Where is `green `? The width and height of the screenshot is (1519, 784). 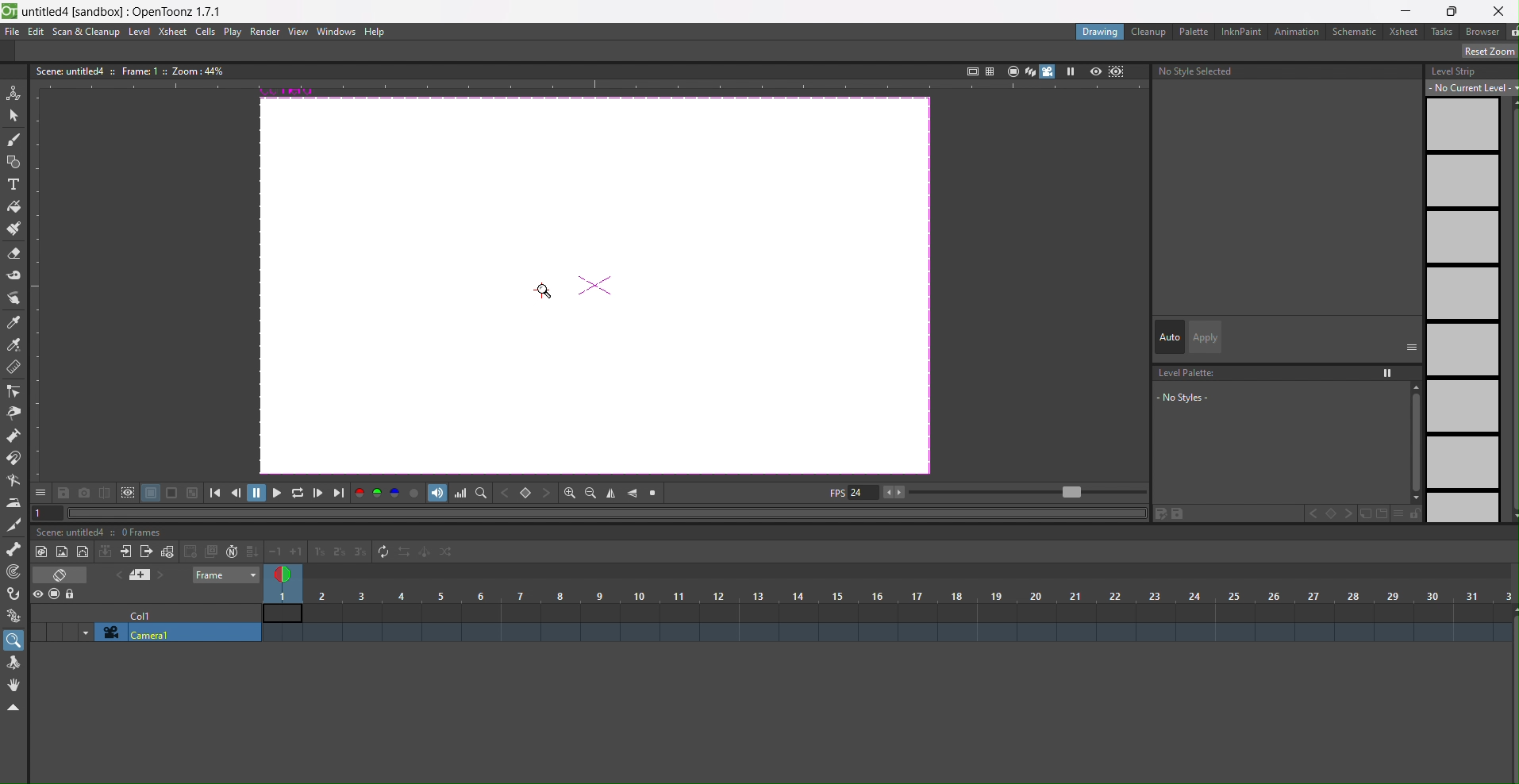
green  is located at coordinates (378, 494).